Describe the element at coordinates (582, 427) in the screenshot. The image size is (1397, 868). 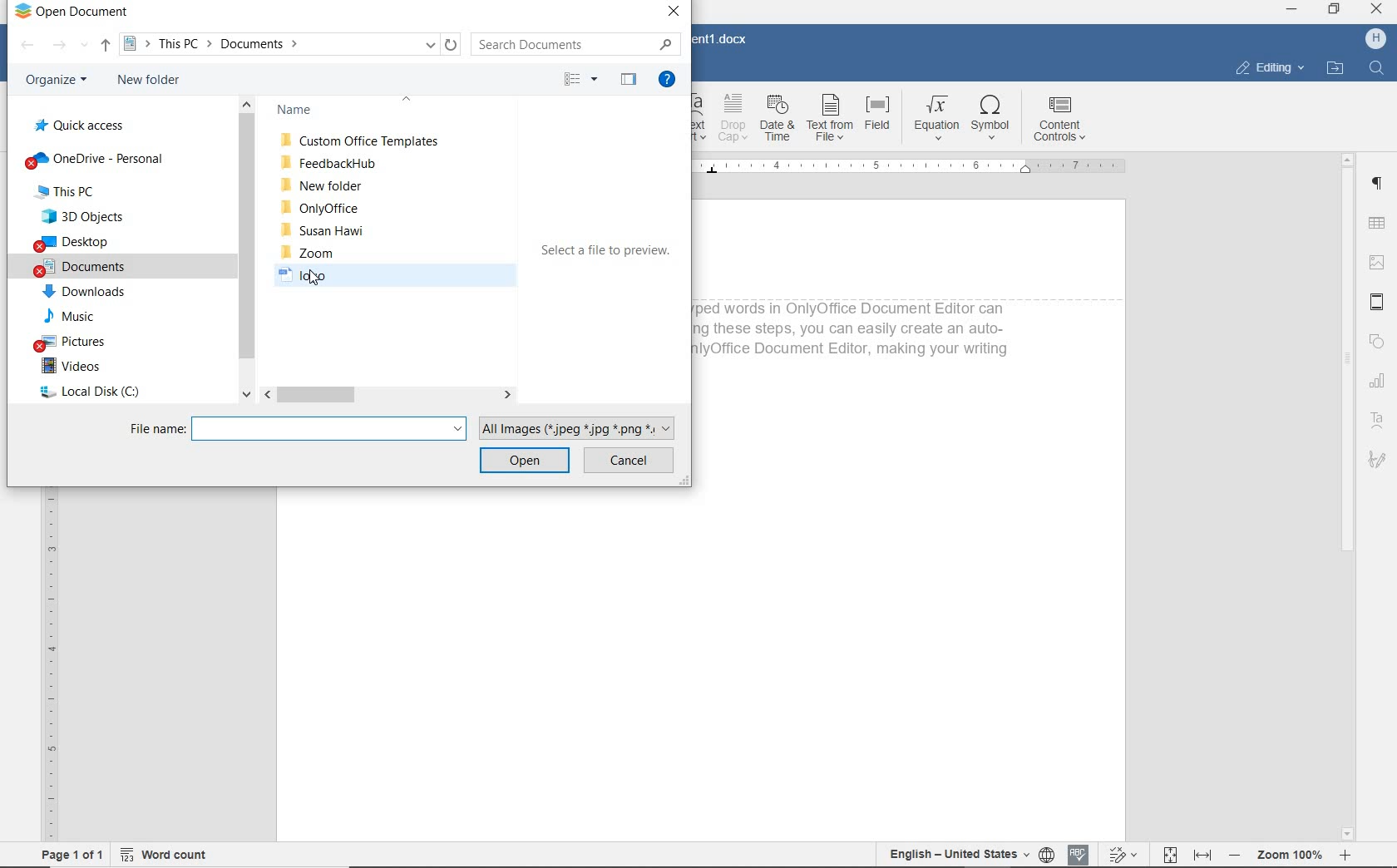
I see `ALL IMAGES (JPEG, JPG, PNG)` at that location.